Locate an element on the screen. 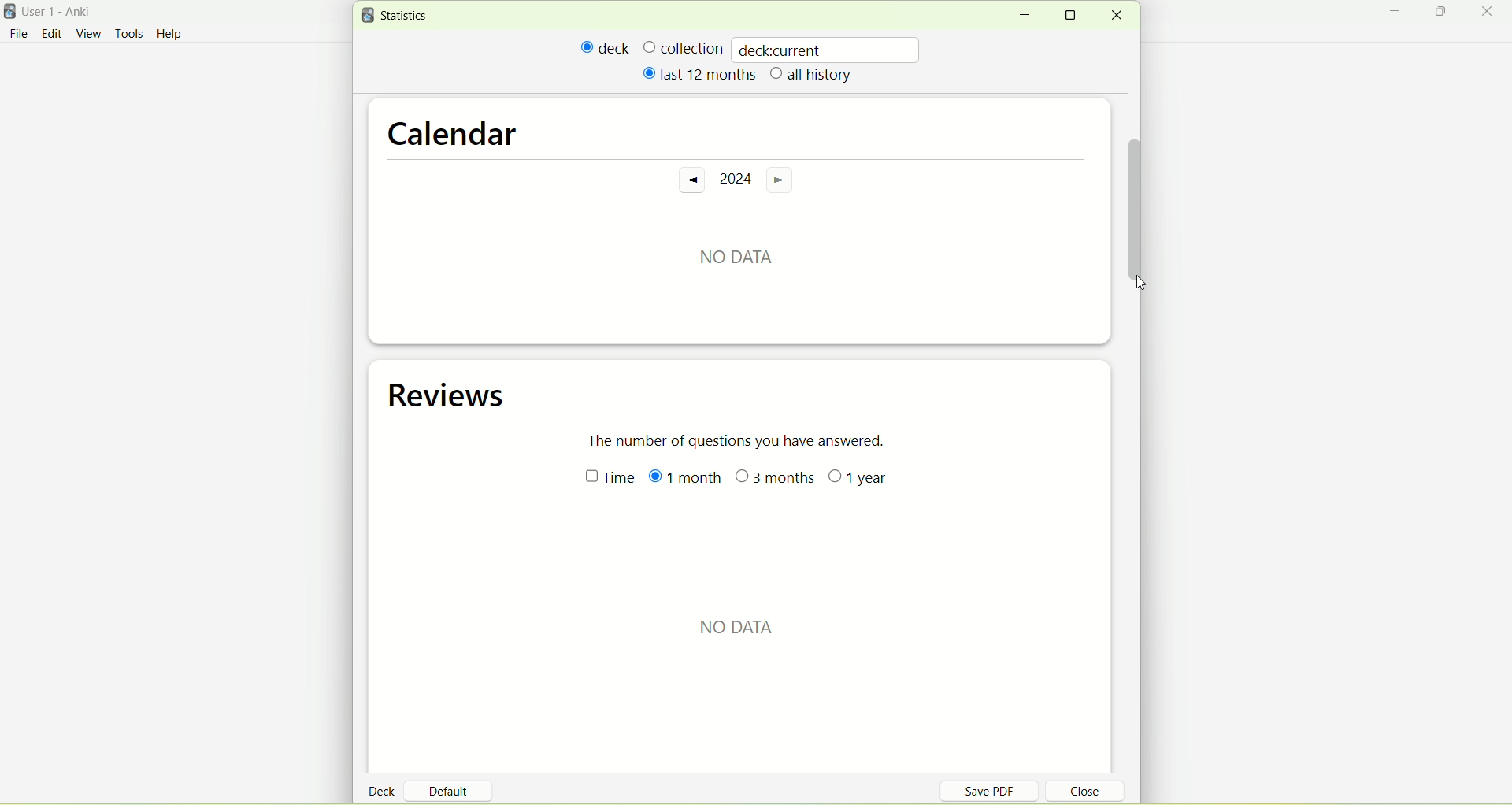 This screenshot has height=805, width=1512. default is located at coordinates (454, 785).